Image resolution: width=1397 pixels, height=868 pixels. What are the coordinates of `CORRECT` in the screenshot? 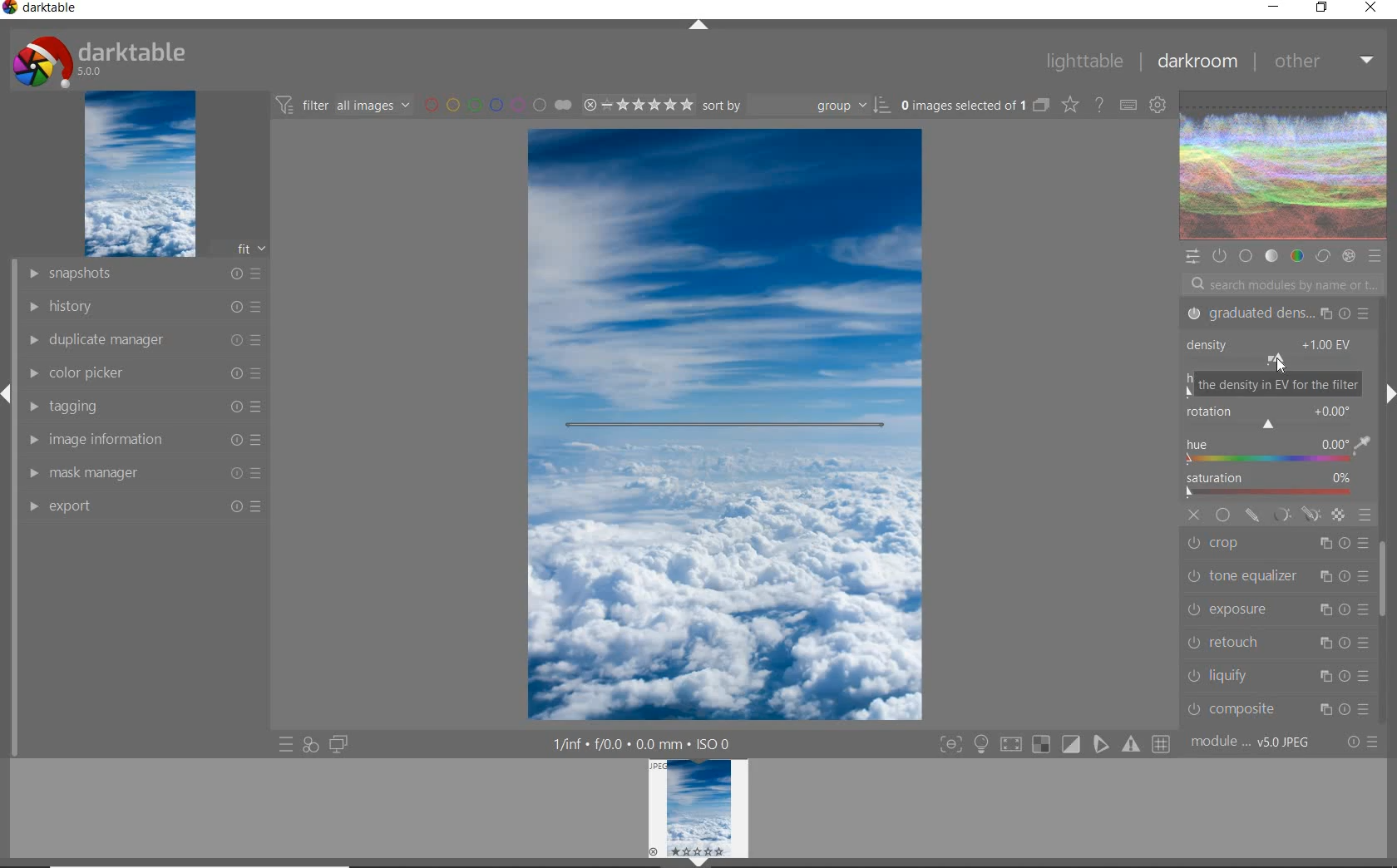 It's located at (1322, 255).